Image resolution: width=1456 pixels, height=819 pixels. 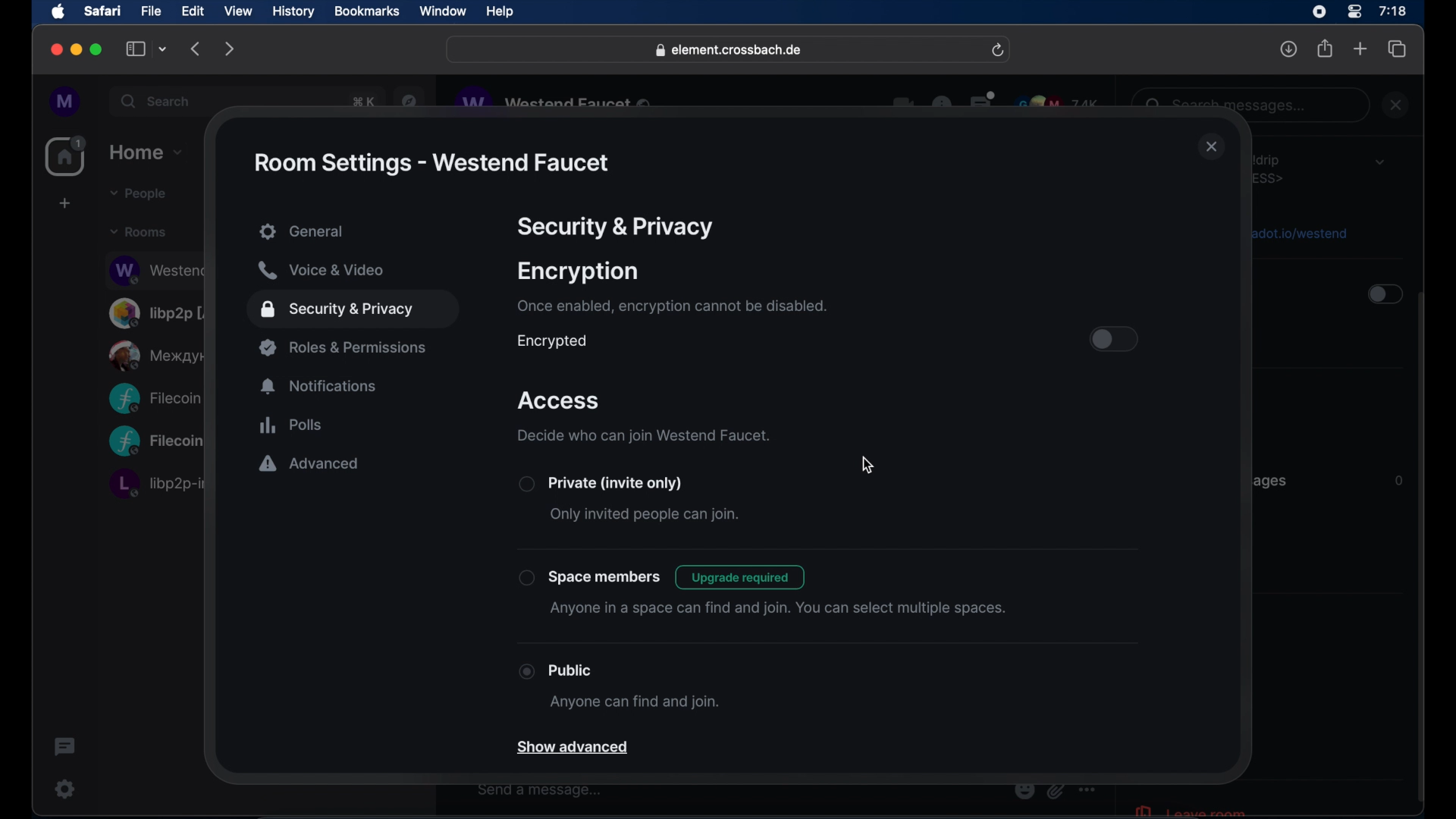 What do you see at coordinates (157, 101) in the screenshot?
I see `search` at bounding box center [157, 101].